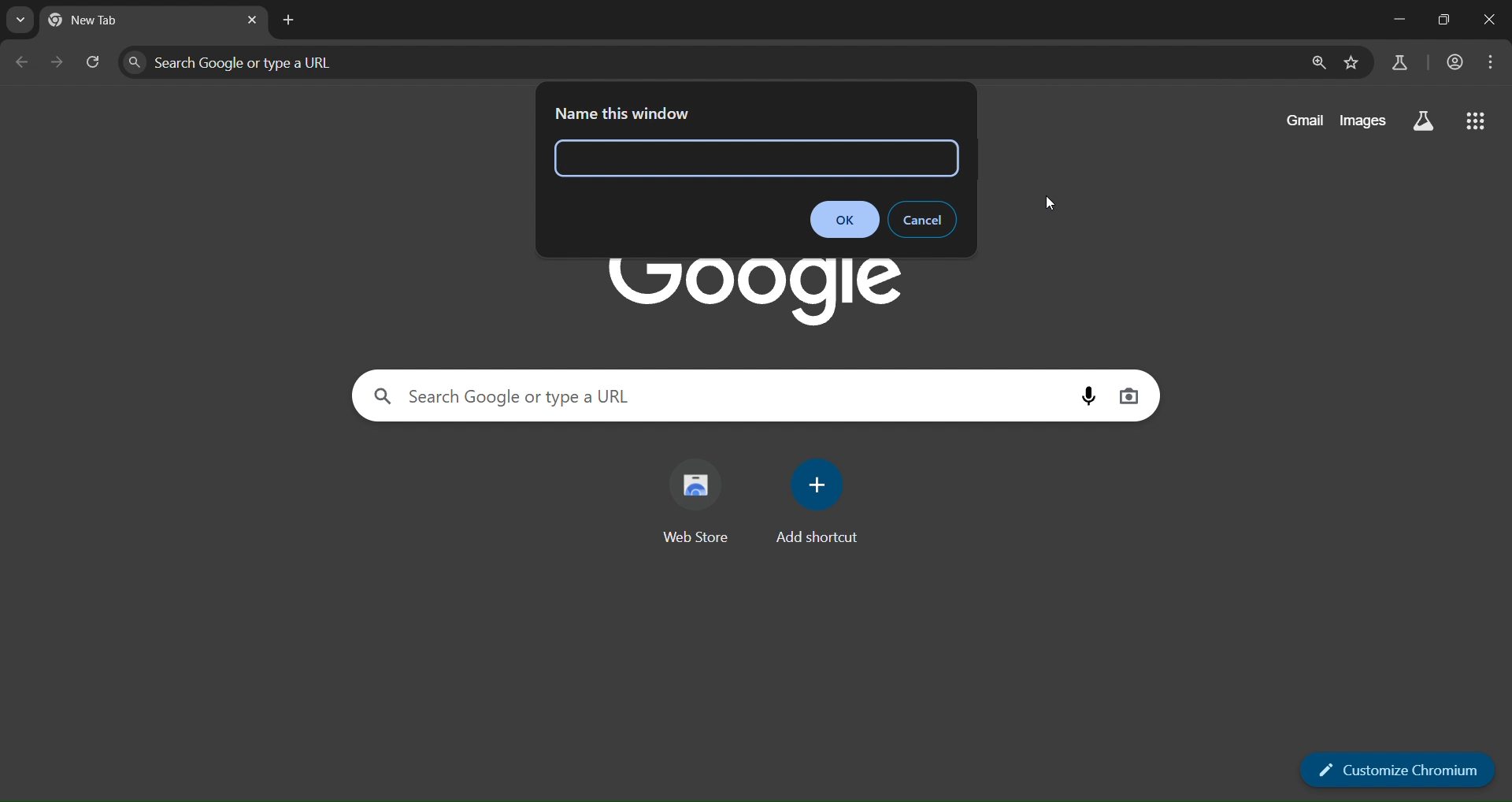  What do you see at coordinates (656, 157) in the screenshot?
I see `input name` at bounding box center [656, 157].